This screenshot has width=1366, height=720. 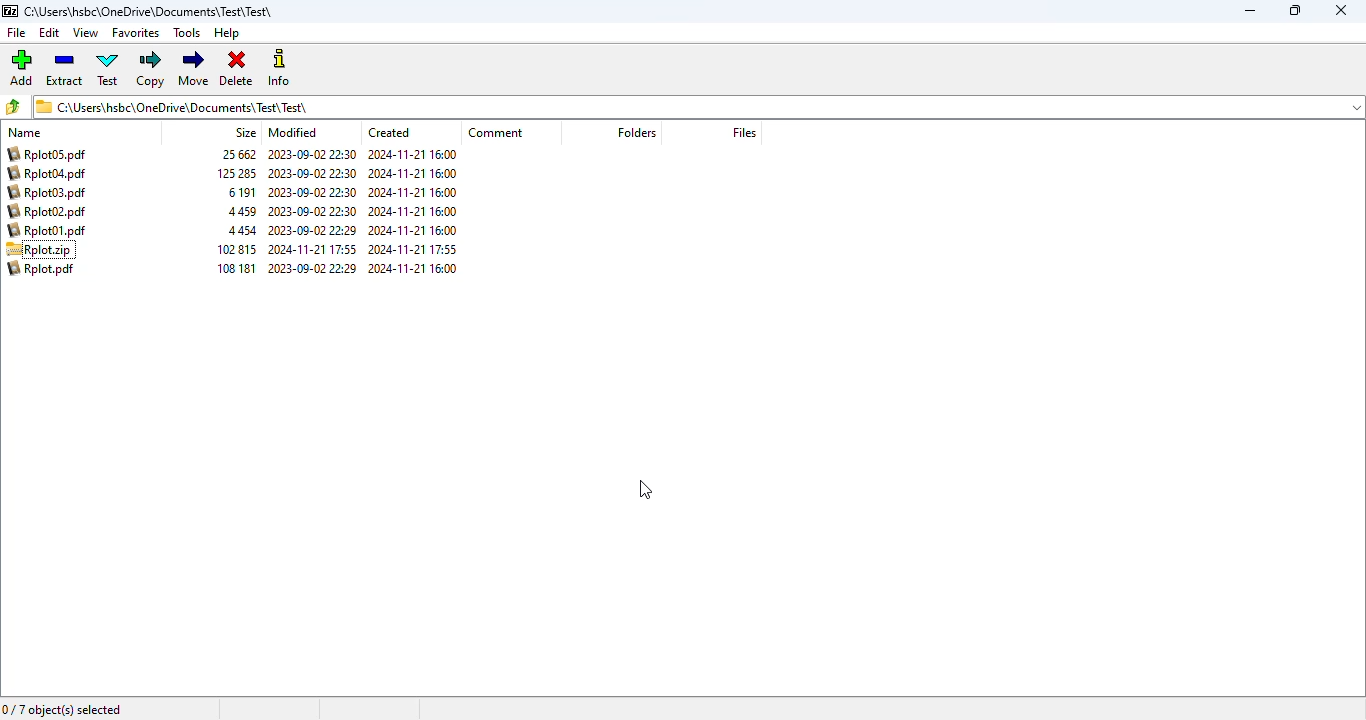 What do you see at coordinates (294, 132) in the screenshot?
I see `modified` at bounding box center [294, 132].